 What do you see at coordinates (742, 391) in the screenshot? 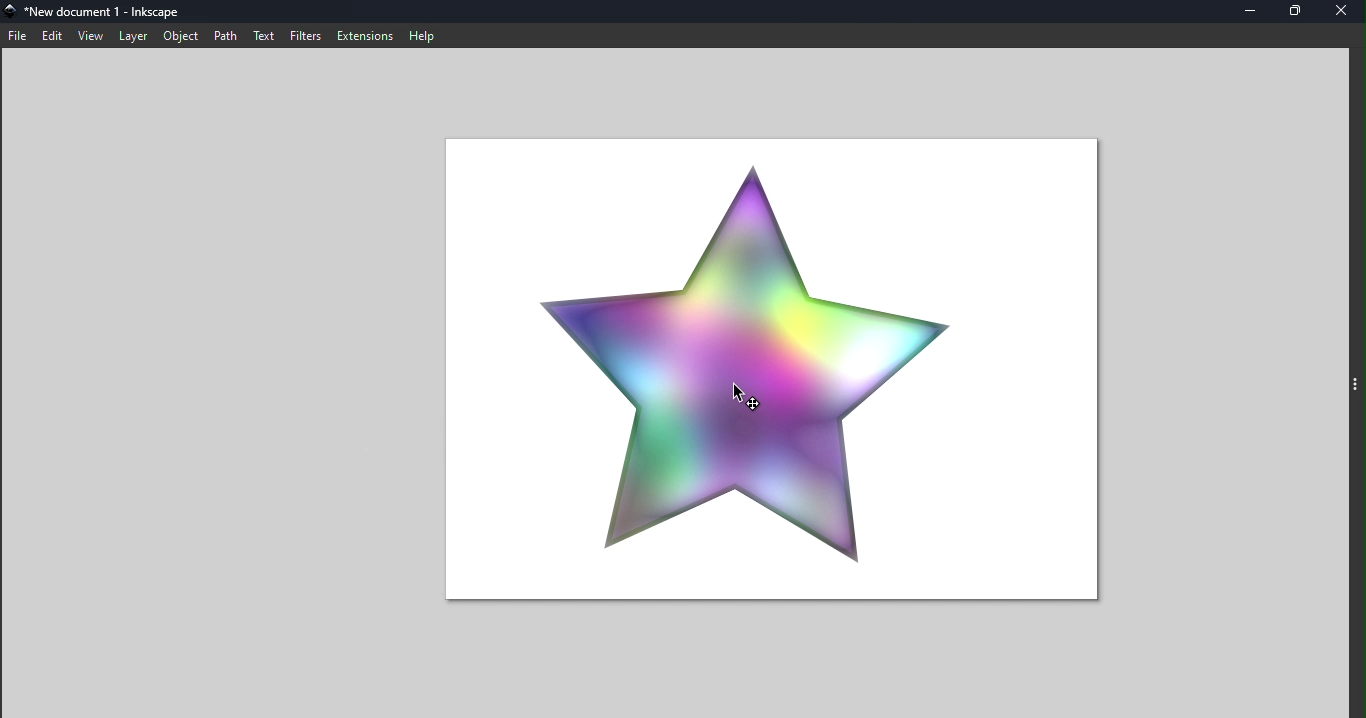
I see `cursor` at bounding box center [742, 391].